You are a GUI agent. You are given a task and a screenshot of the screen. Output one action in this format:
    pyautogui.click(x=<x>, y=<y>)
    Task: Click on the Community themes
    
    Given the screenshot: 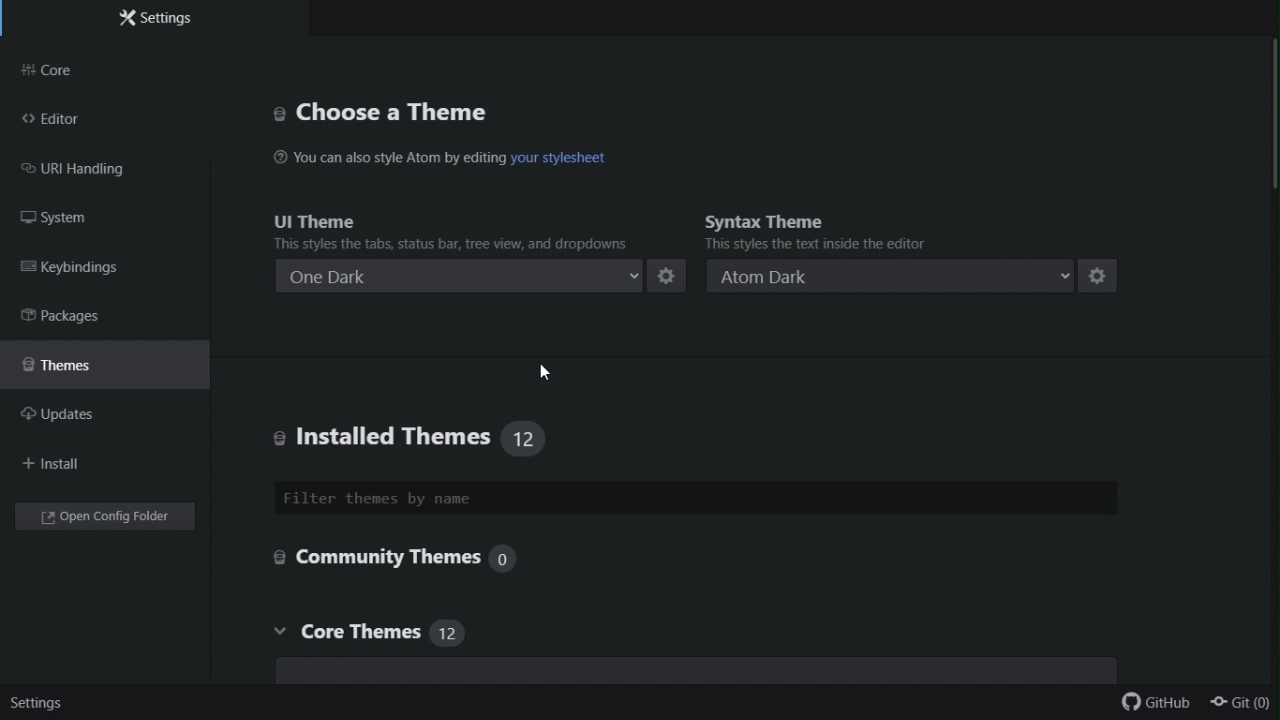 What is the action you would take?
    pyautogui.click(x=408, y=561)
    